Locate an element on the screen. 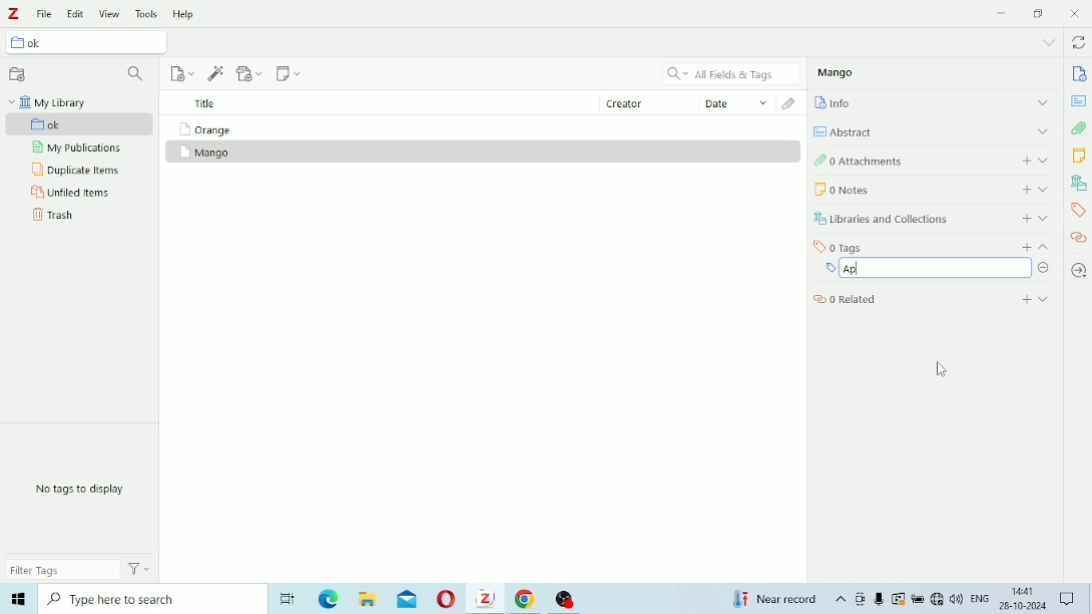  OBS Studio is located at coordinates (572, 600).